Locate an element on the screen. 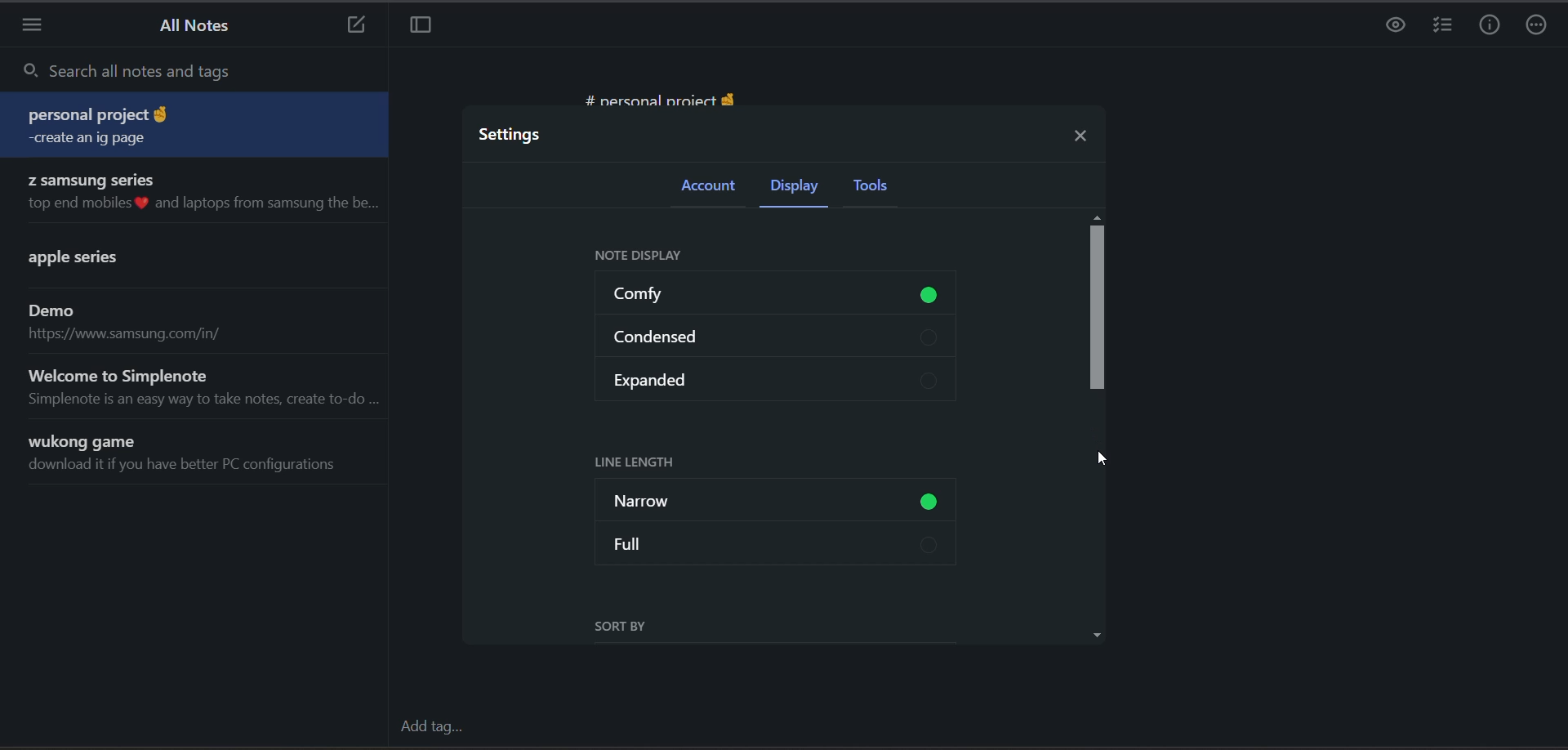 This screenshot has height=750, width=1568. search all notes and tags is located at coordinates (202, 74).